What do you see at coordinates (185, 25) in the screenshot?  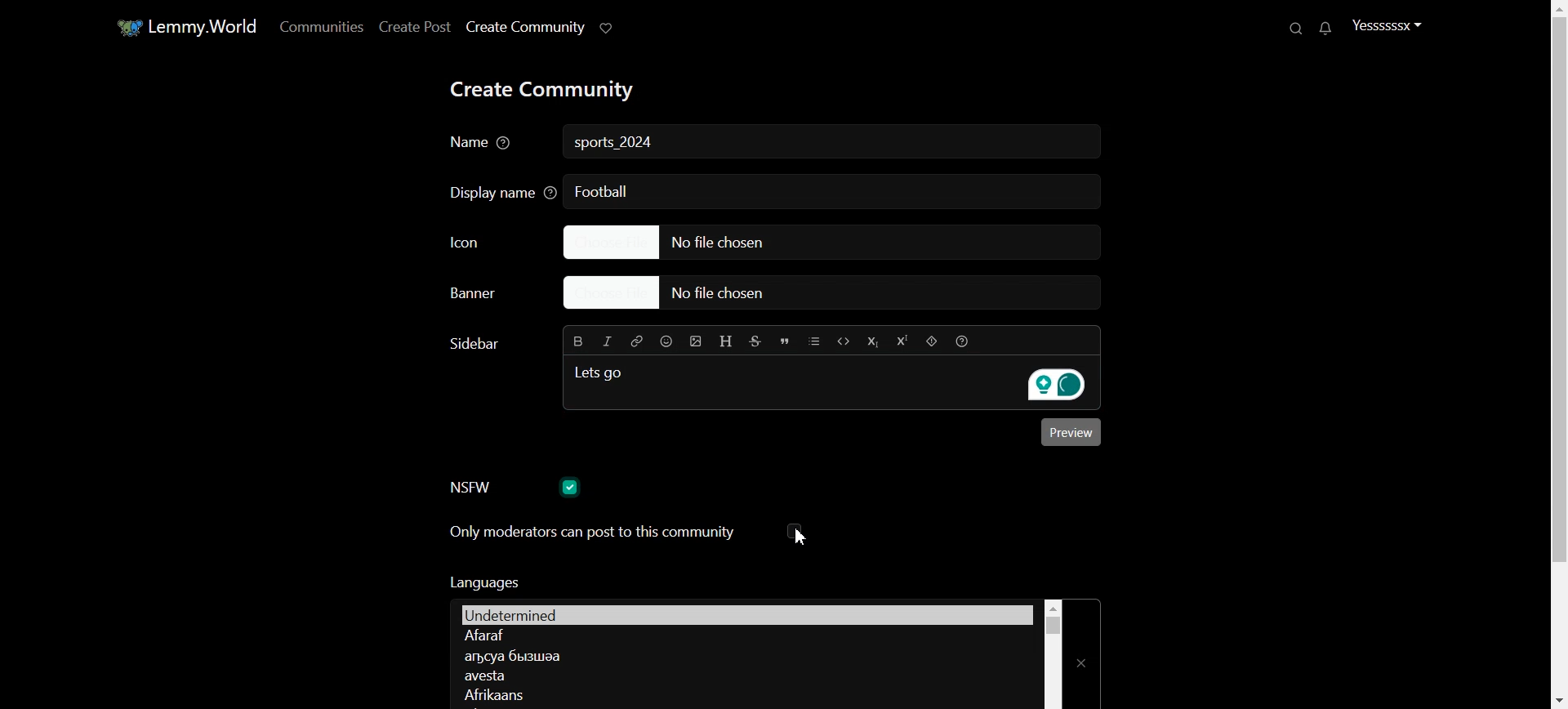 I see `Home window` at bounding box center [185, 25].